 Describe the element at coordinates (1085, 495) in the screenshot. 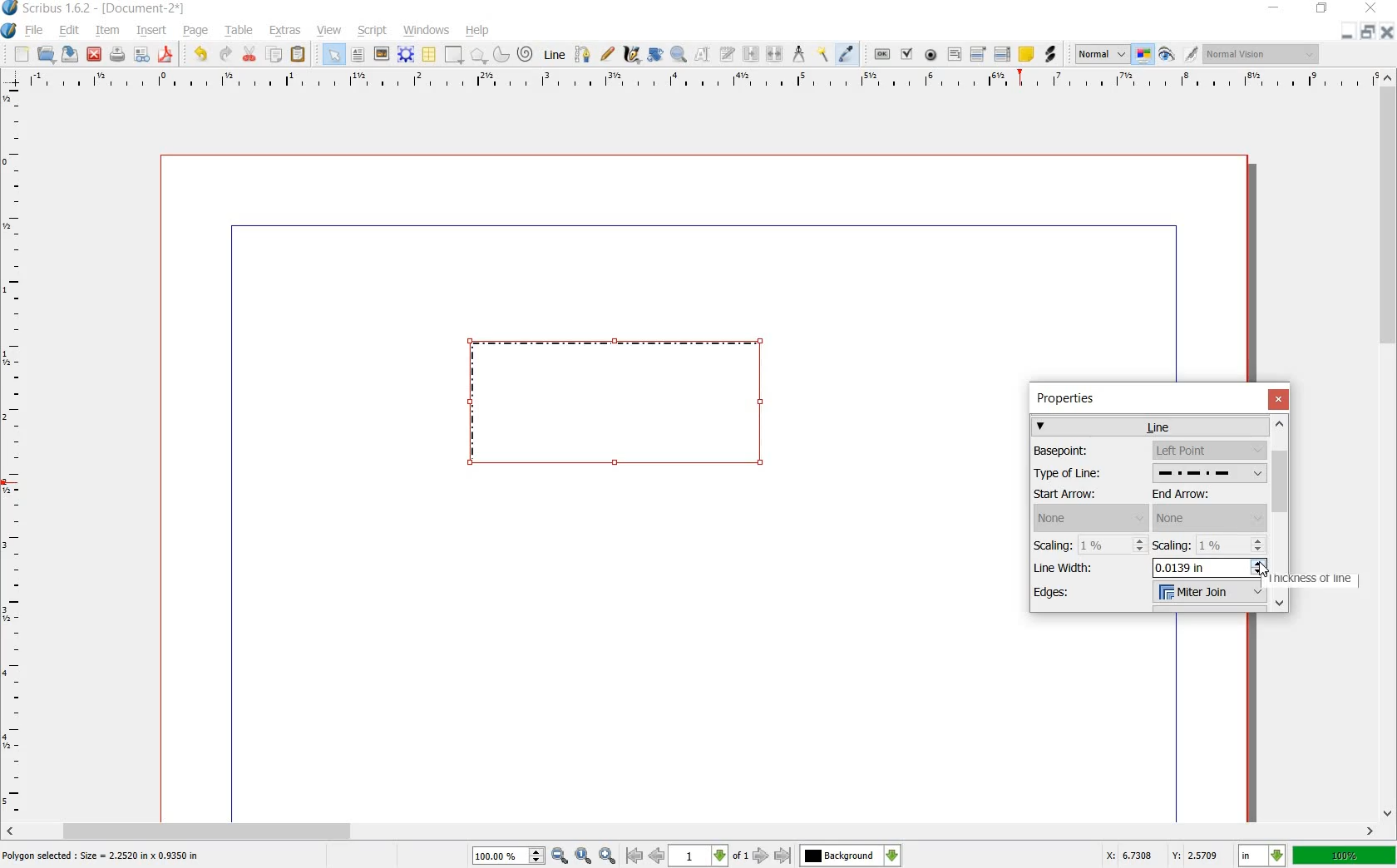

I see `Start Arrow:` at that location.